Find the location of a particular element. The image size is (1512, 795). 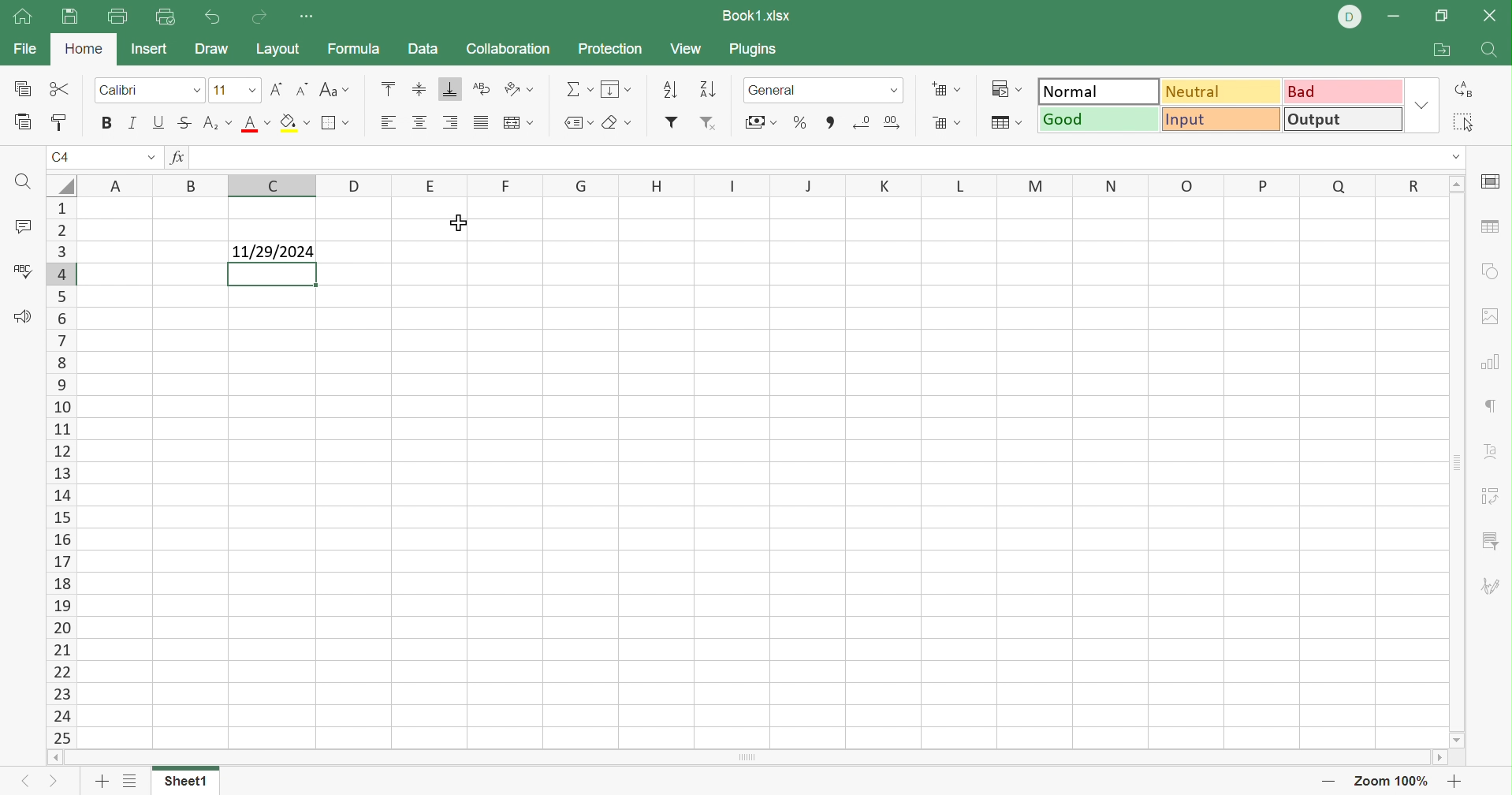

Sheet1 is located at coordinates (188, 782).